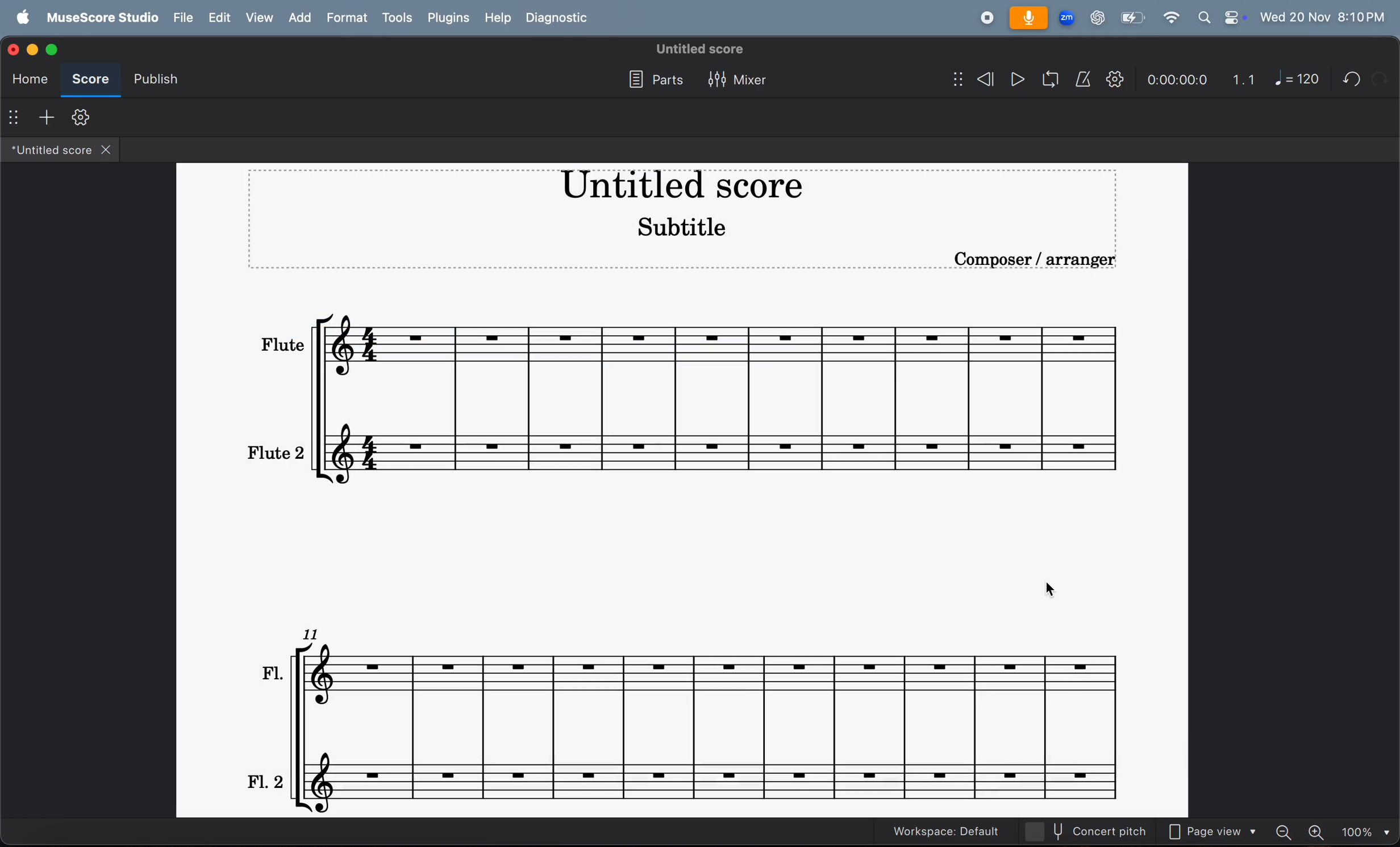 The width and height of the screenshot is (1400, 847). What do you see at coordinates (983, 78) in the screenshot?
I see `rewind` at bounding box center [983, 78].